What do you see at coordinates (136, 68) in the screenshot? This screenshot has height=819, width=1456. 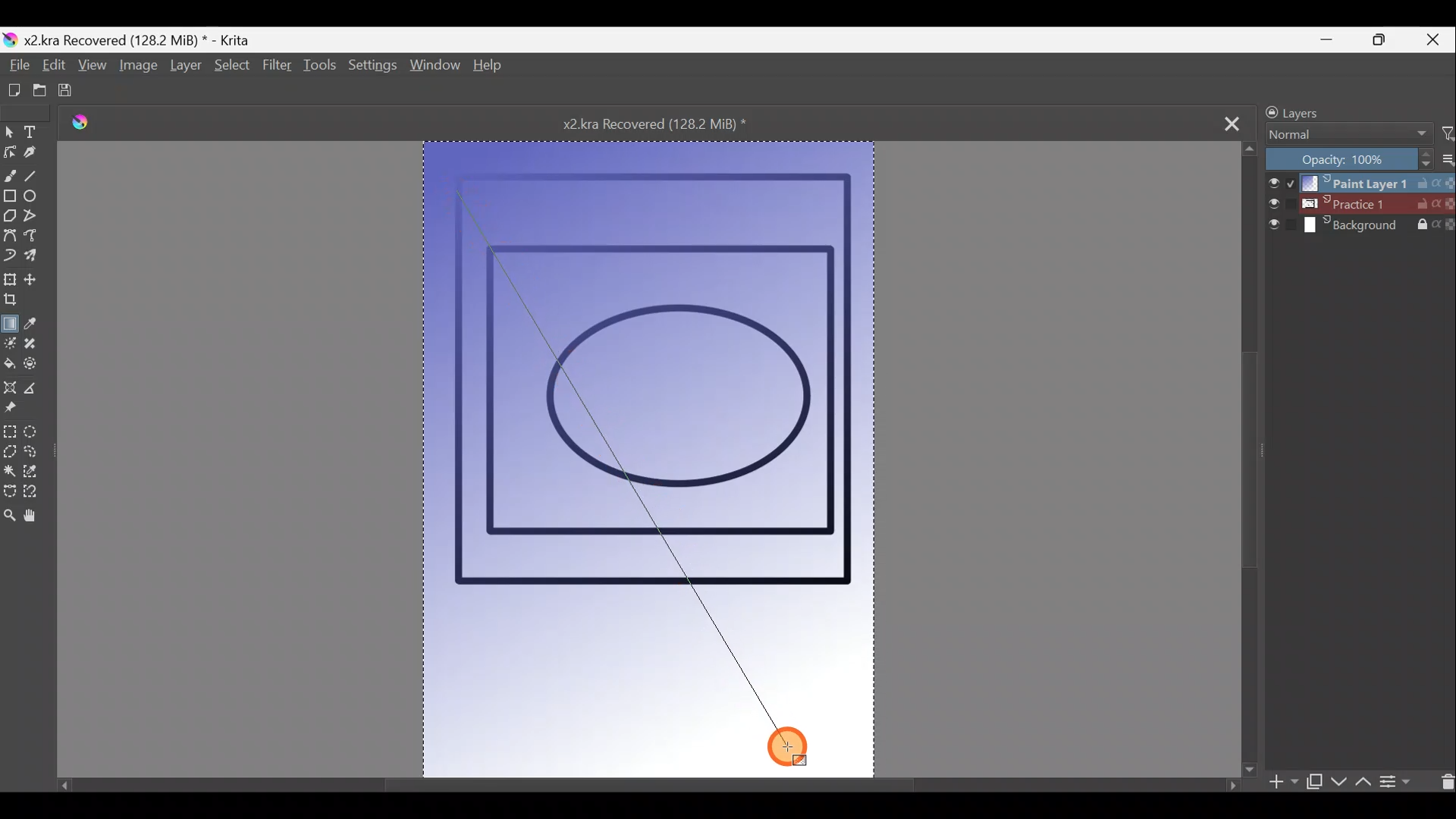 I see `Image` at bounding box center [136, 68].